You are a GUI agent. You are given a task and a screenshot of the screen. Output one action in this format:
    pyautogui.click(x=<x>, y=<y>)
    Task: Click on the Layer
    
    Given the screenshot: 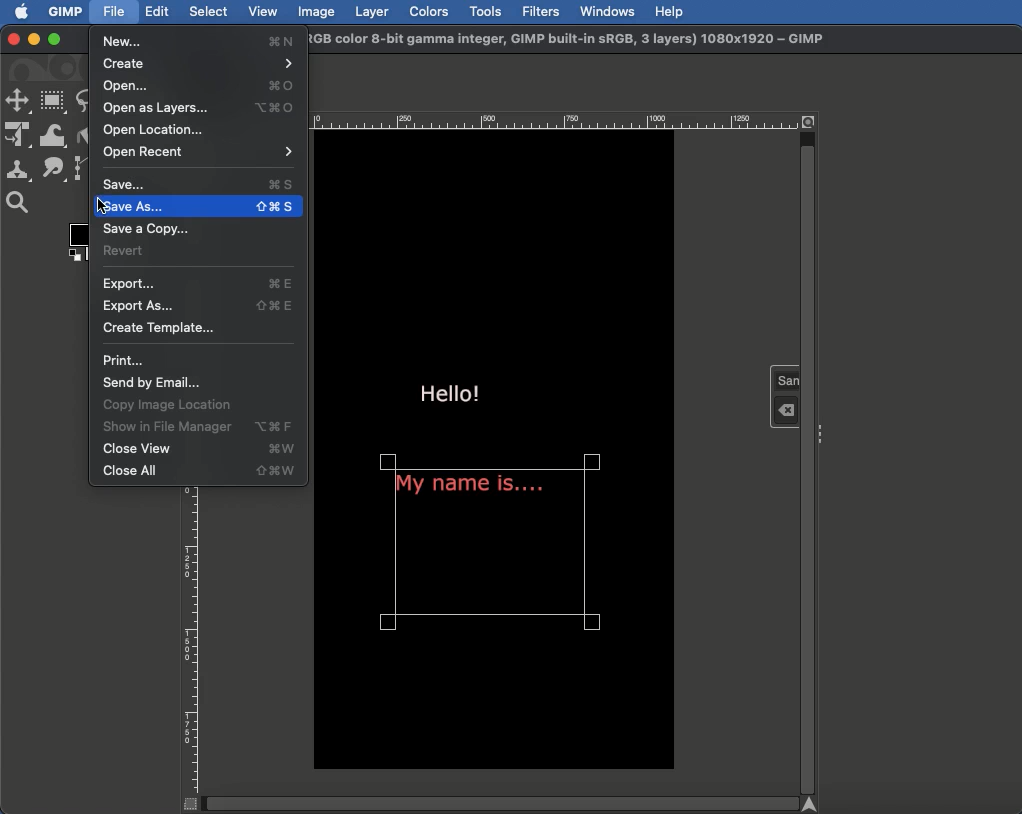 What is the action you would take?
    pyautogui.click(x=373, y=10)
    